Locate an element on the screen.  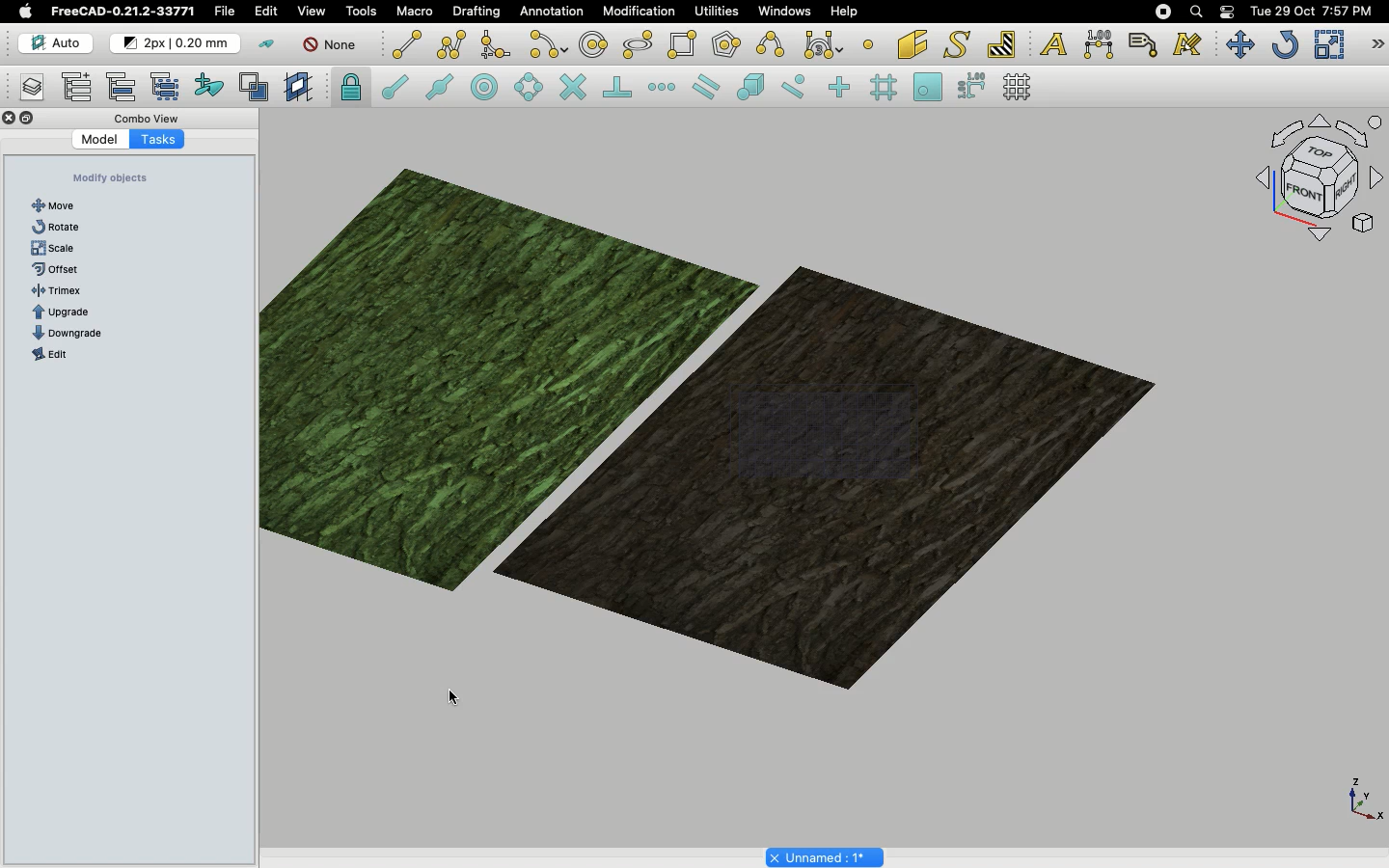
Draft modification tools is located at coordinates (1376, 46).